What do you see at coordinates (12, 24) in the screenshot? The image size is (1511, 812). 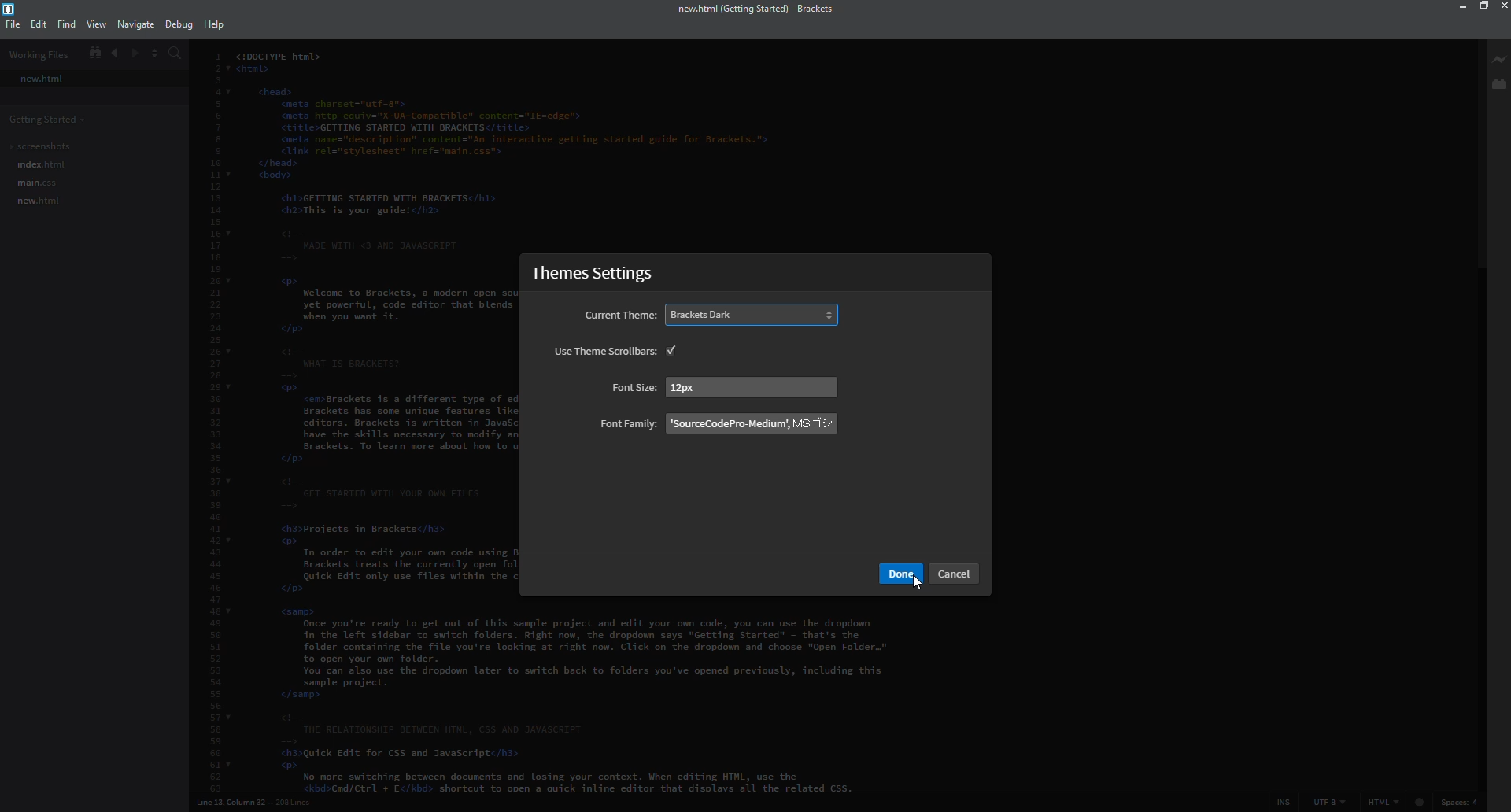 I see `file` at bounding box center [12, 24].